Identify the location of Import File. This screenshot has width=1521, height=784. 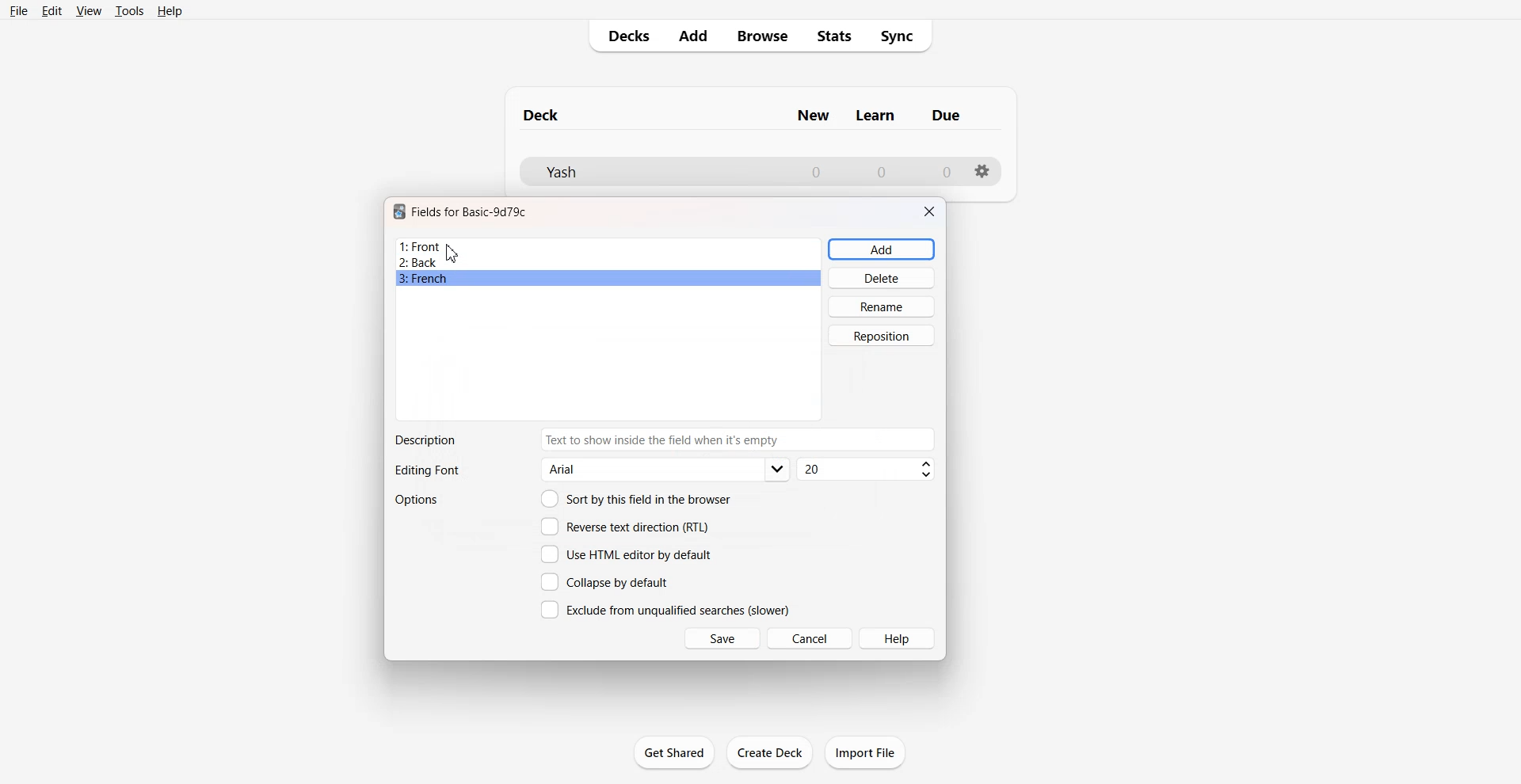
(865, 752).